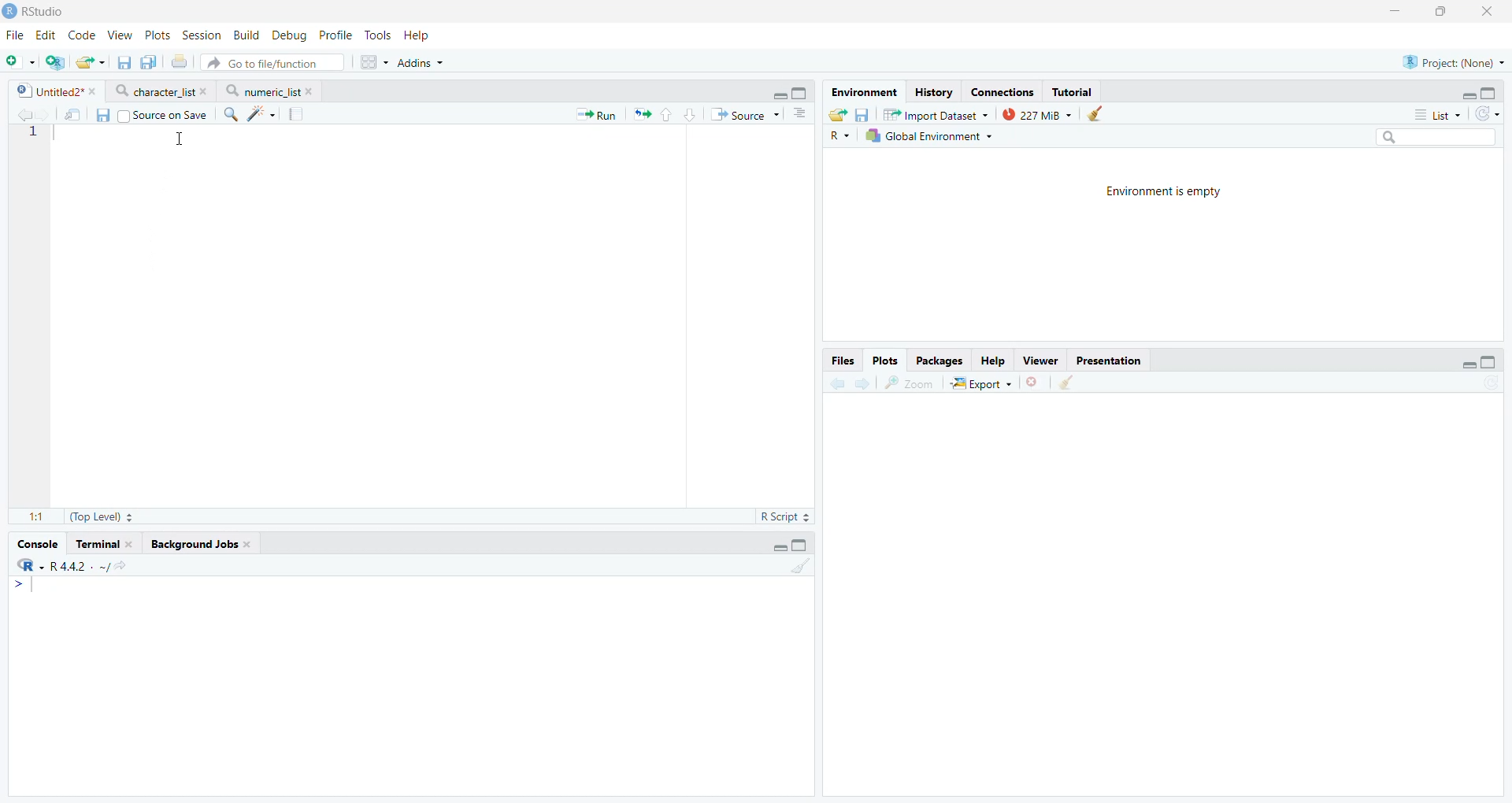  I want to click on Debug, so click(289, 35).